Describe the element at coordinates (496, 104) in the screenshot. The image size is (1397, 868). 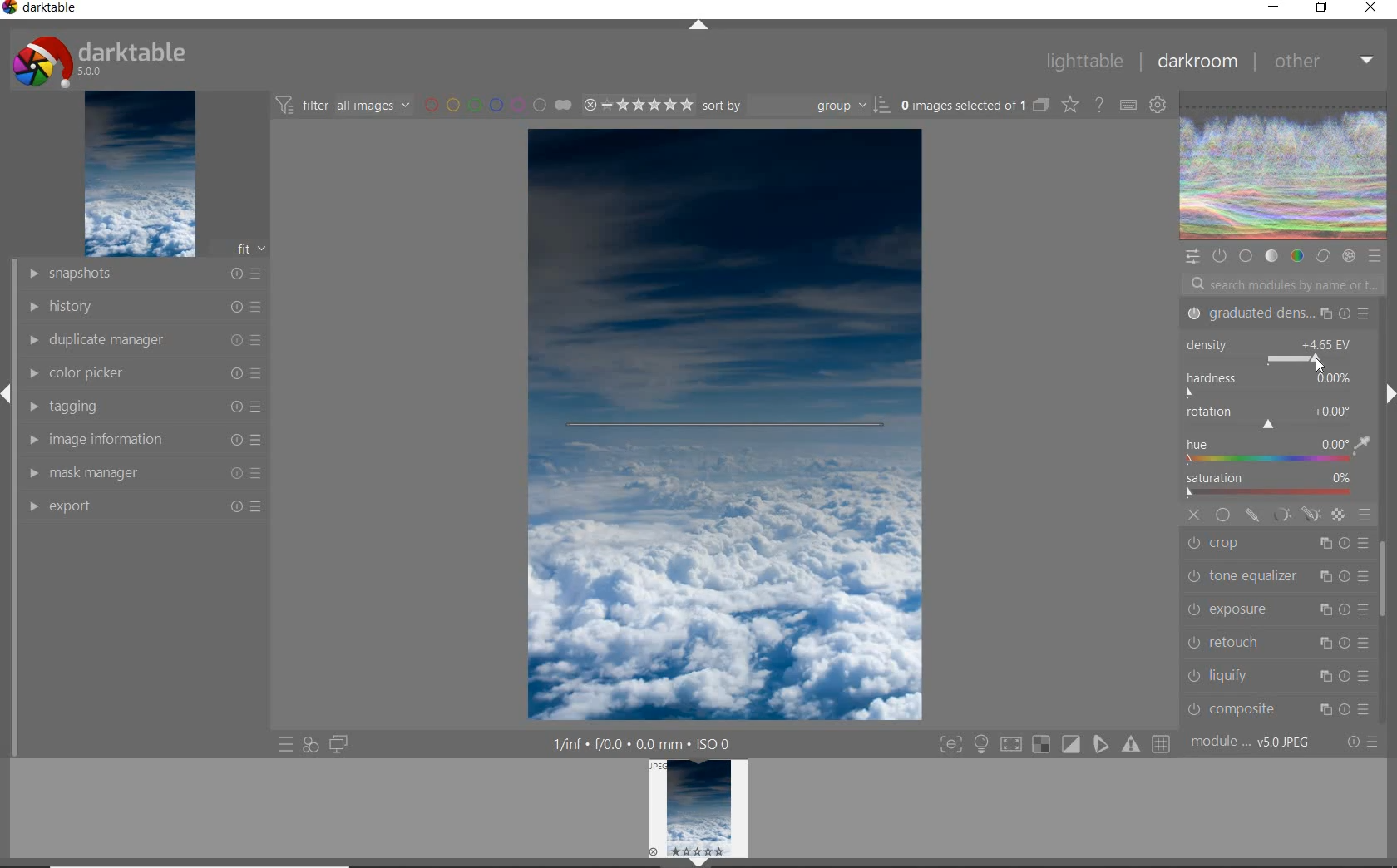
I see `FILTER BY IMAGE COLOR LABEL` at that location.